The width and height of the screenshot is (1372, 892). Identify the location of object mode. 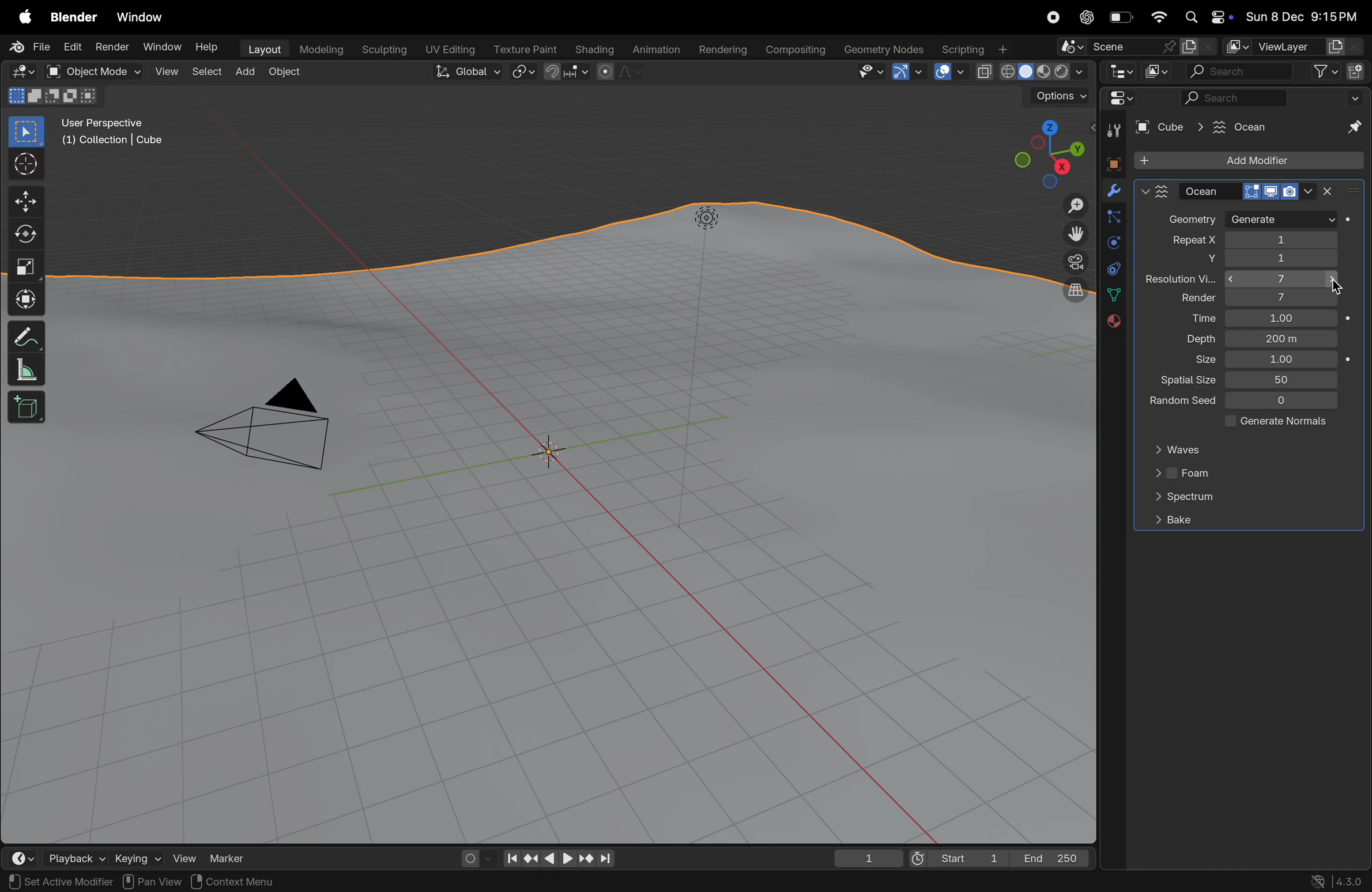
(105, 72).